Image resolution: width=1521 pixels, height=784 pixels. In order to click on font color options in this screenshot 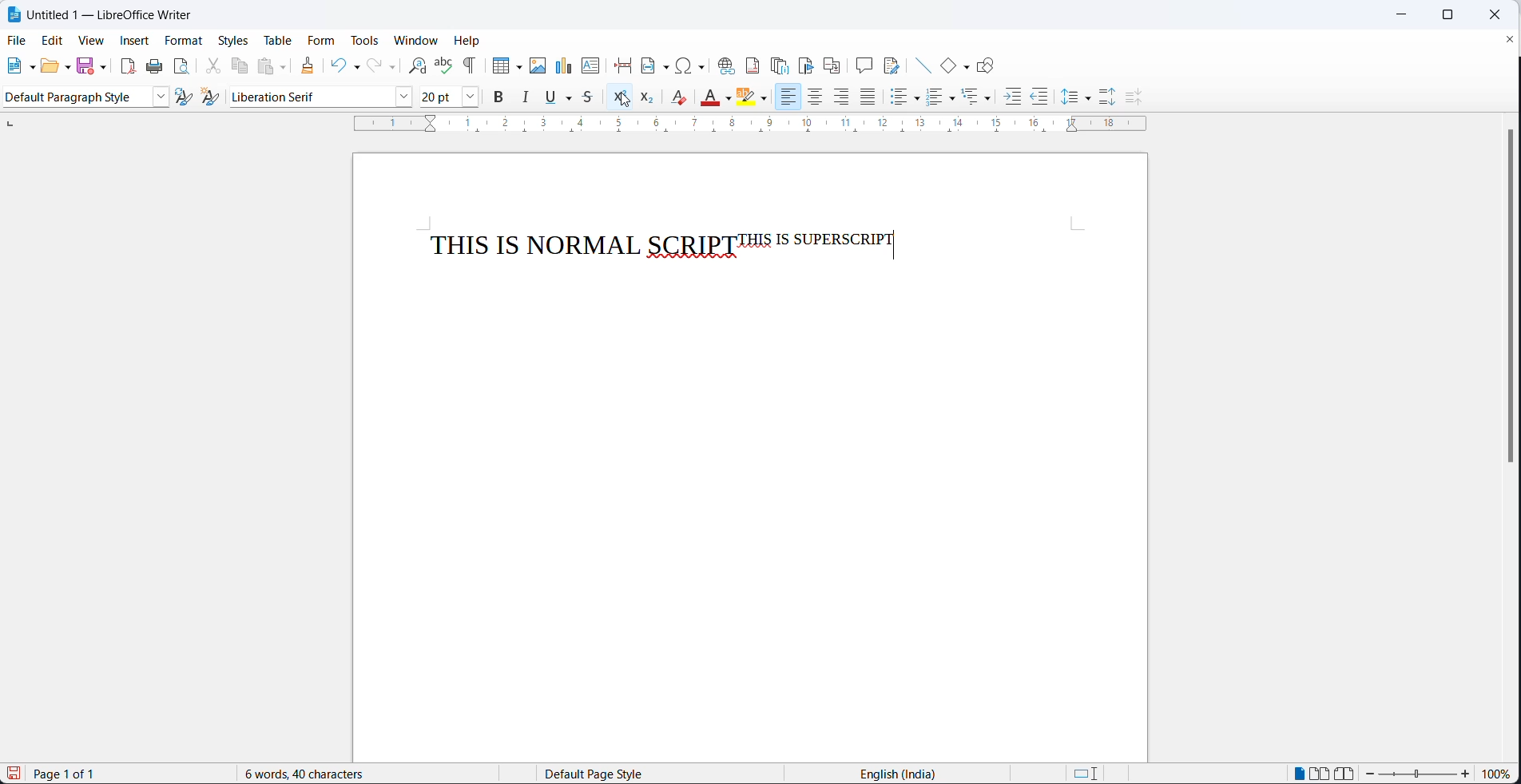, I will do `click(729, 99)`.